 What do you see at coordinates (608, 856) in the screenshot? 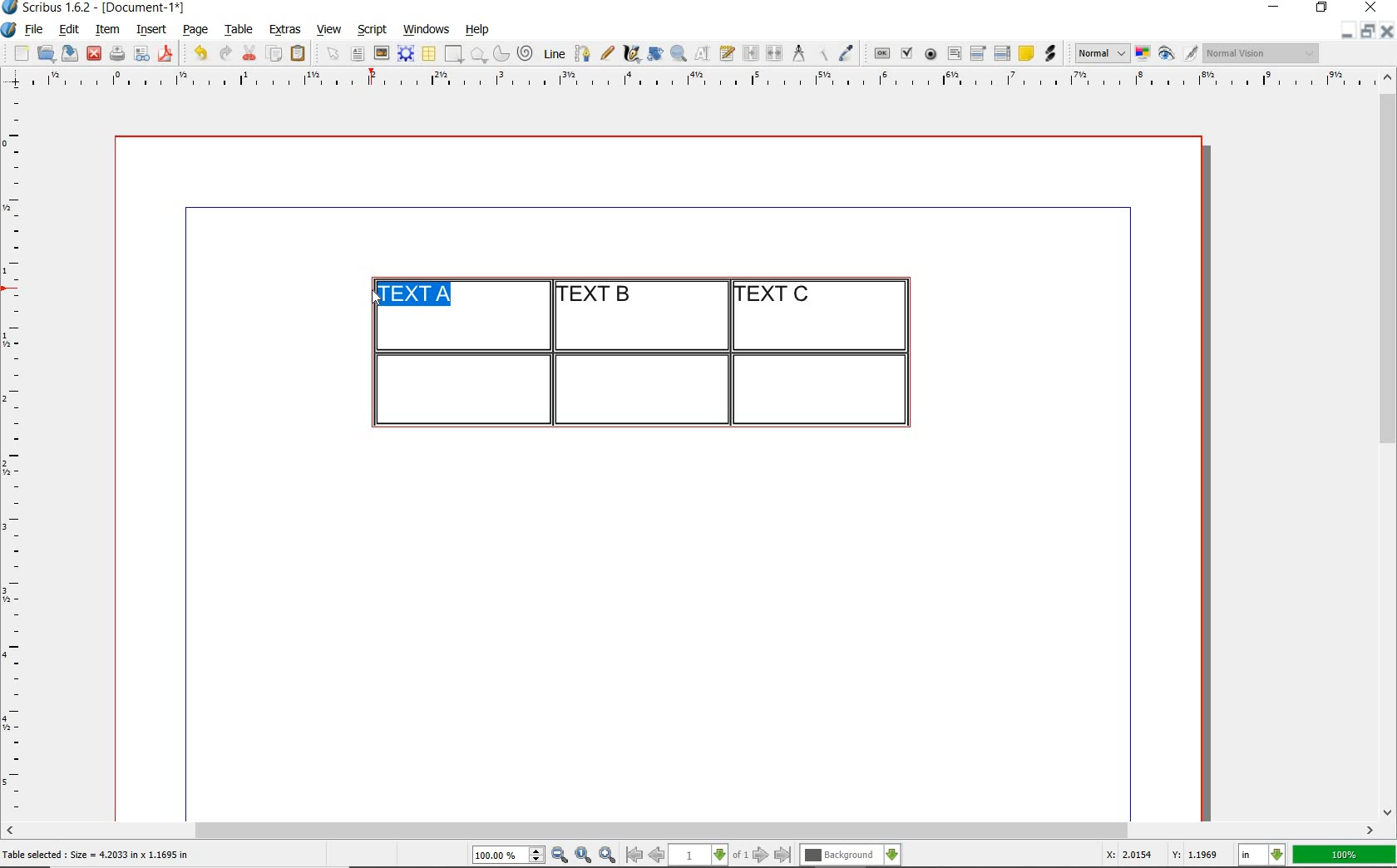
I see `zoom in` at bounding box center [608, 856].